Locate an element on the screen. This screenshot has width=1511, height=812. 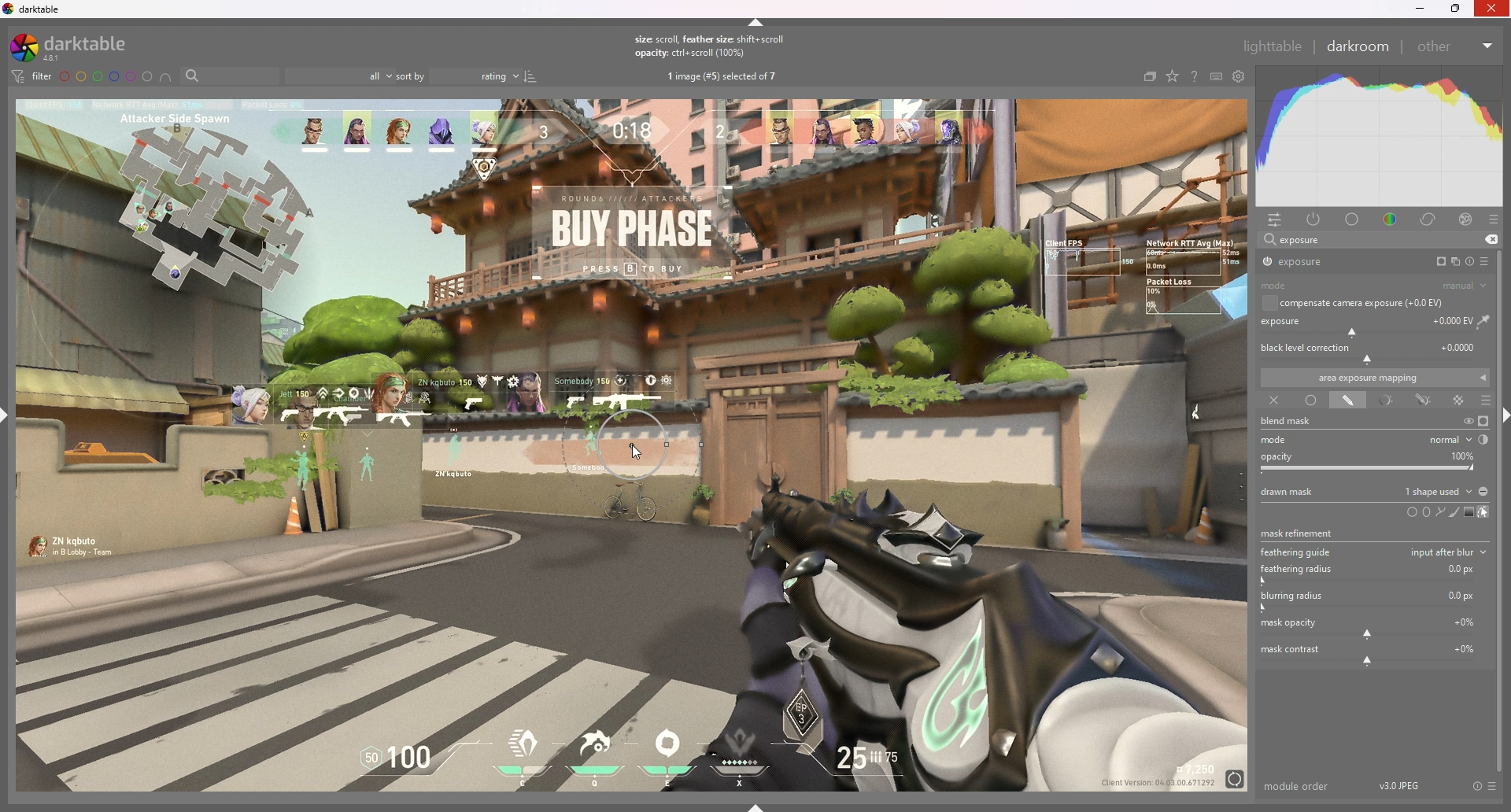
exposure is located at coordinates (1376, 324).